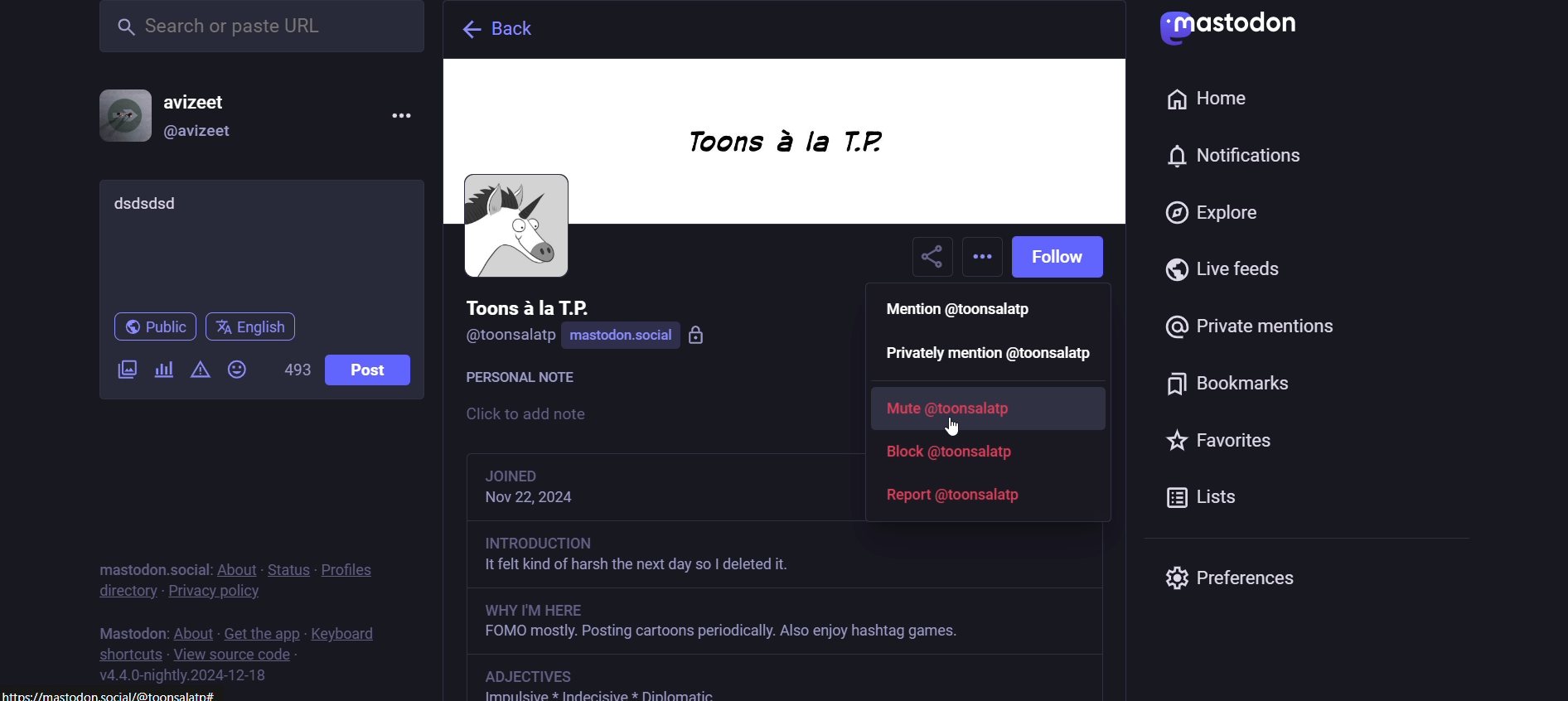 The width and height of the screenshot is (1568, 701). Describe the element at coordinates (1232, 575) in the screenshot. I see `preferences` at that location.